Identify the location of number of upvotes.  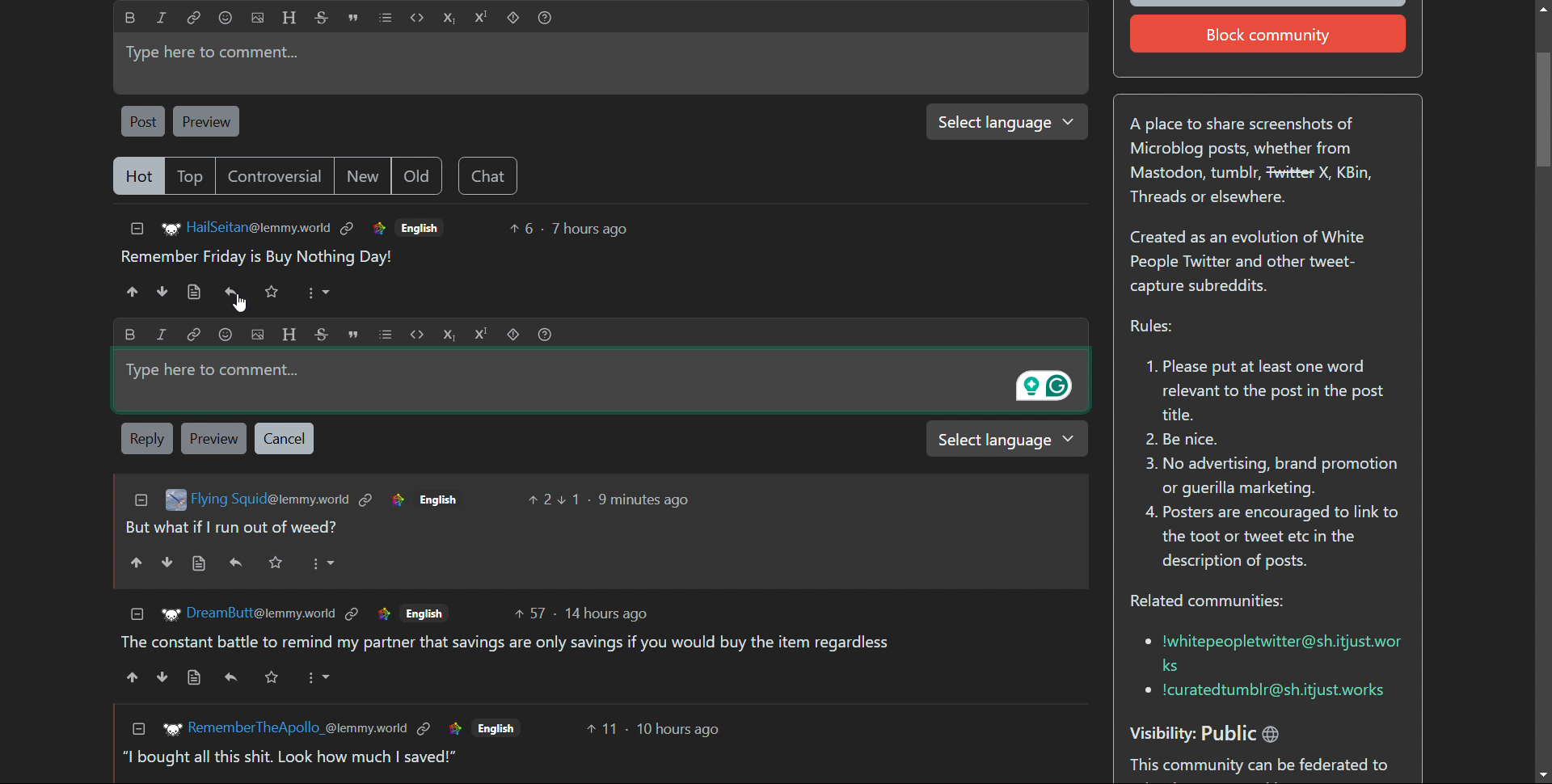
(539, 499).